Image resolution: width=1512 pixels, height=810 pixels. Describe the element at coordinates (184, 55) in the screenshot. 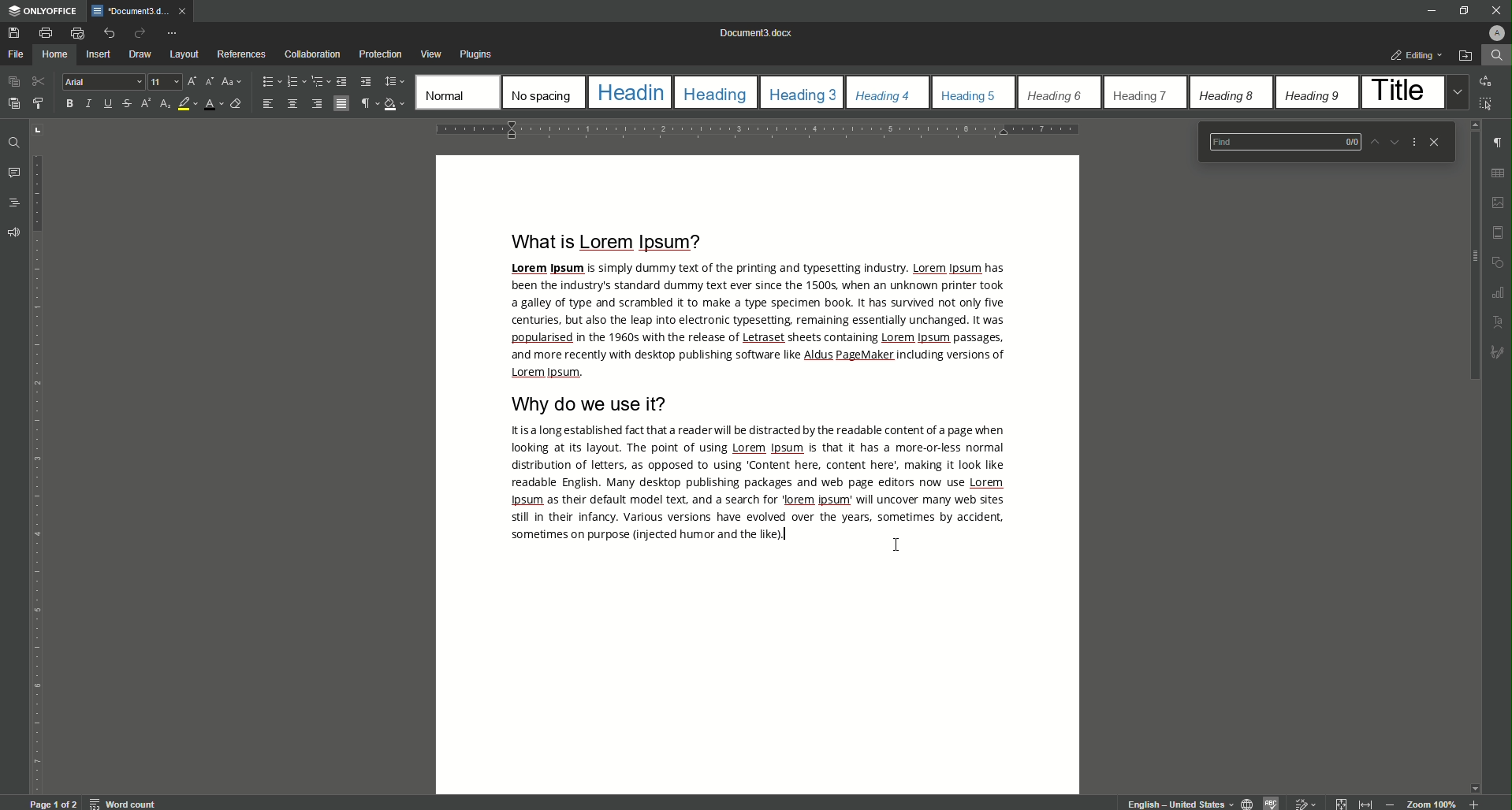

I see `Layout` at that location.